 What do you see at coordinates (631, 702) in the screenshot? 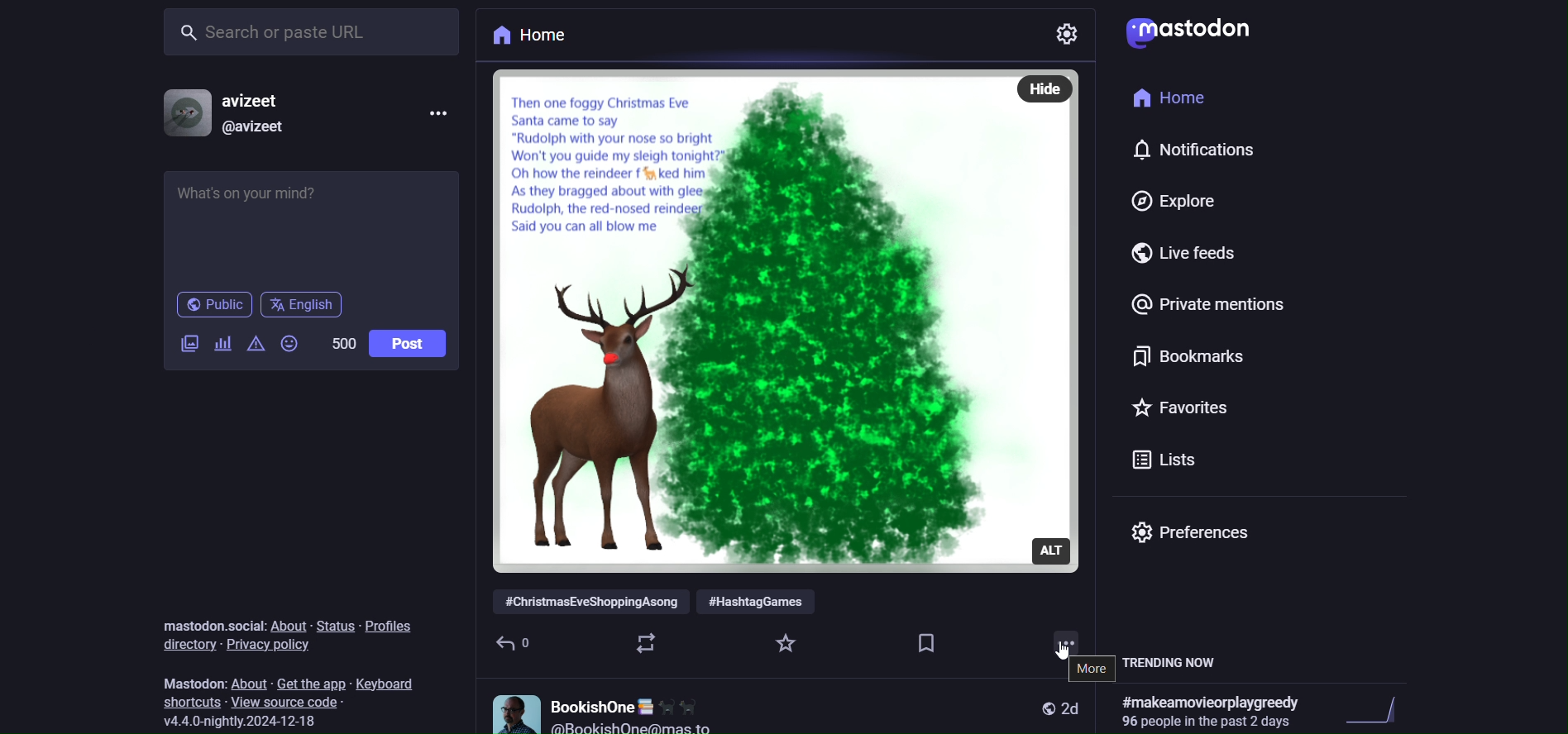
I see `BookishOne` at bounding box center [631, 702].